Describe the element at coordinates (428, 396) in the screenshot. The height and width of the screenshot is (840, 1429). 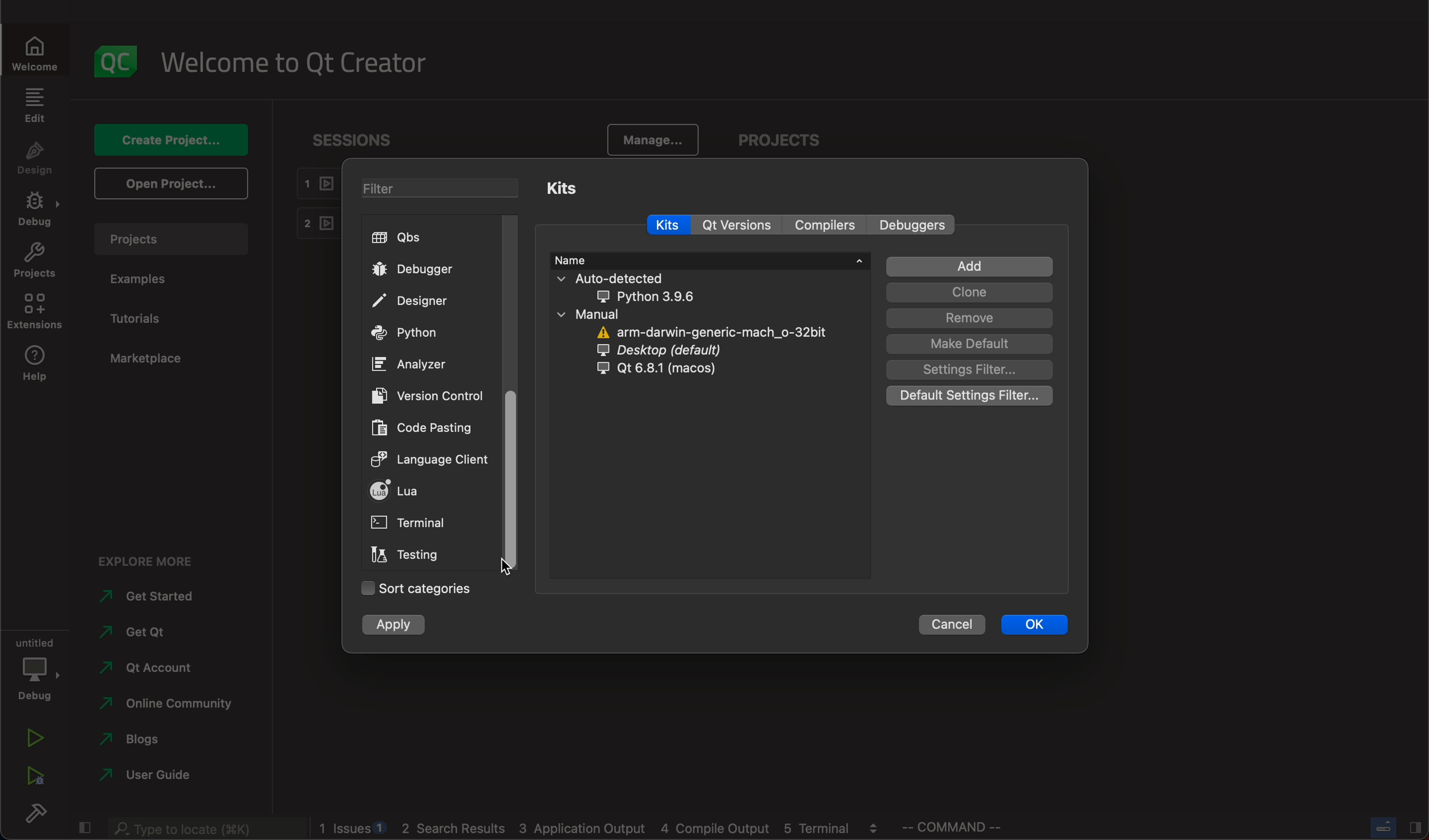
I see `version` at that location.